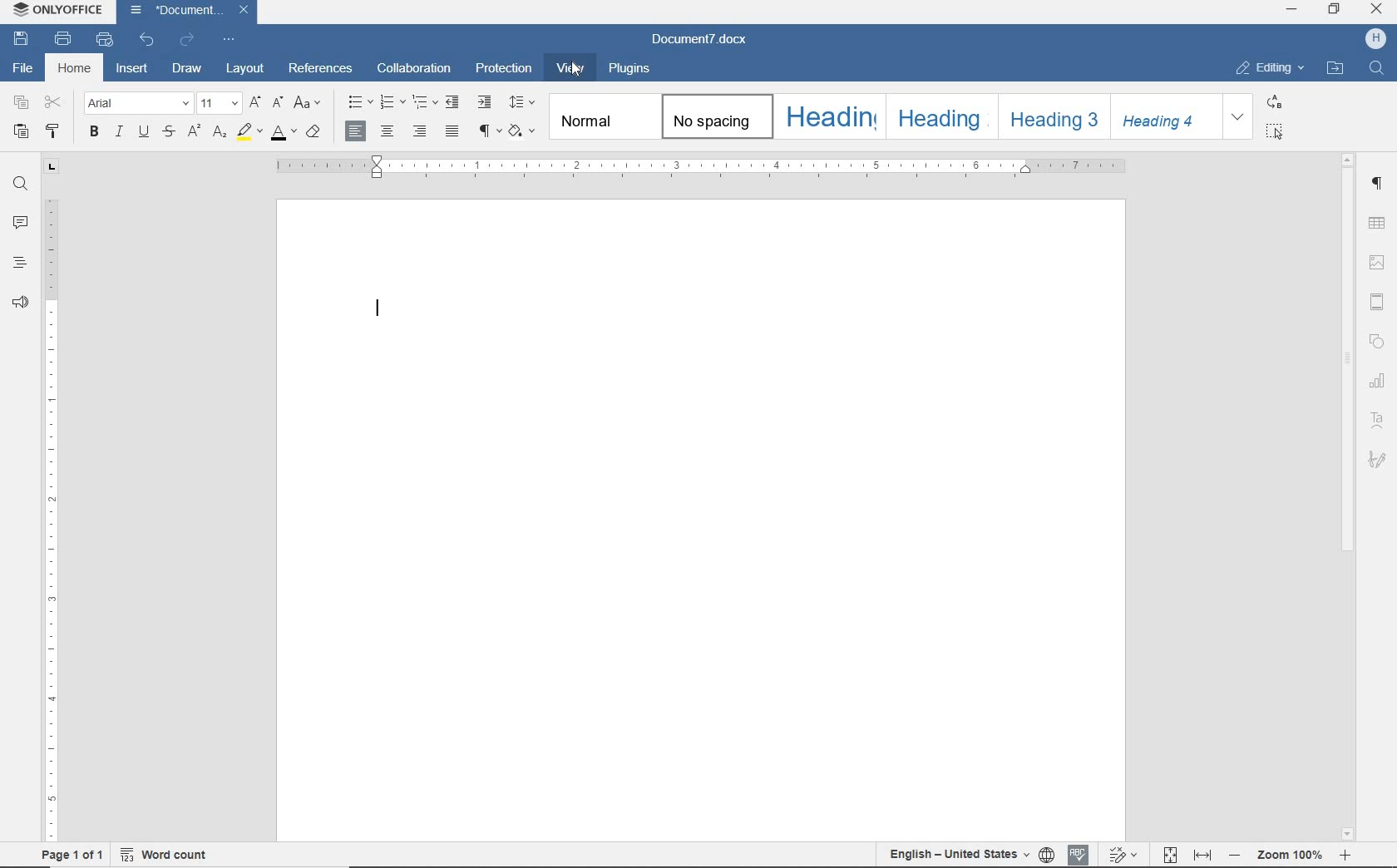  What do you see at coordinates (1378, 223) in the screenshot?
I see `TABLE` at bounding box center [1378, 223].